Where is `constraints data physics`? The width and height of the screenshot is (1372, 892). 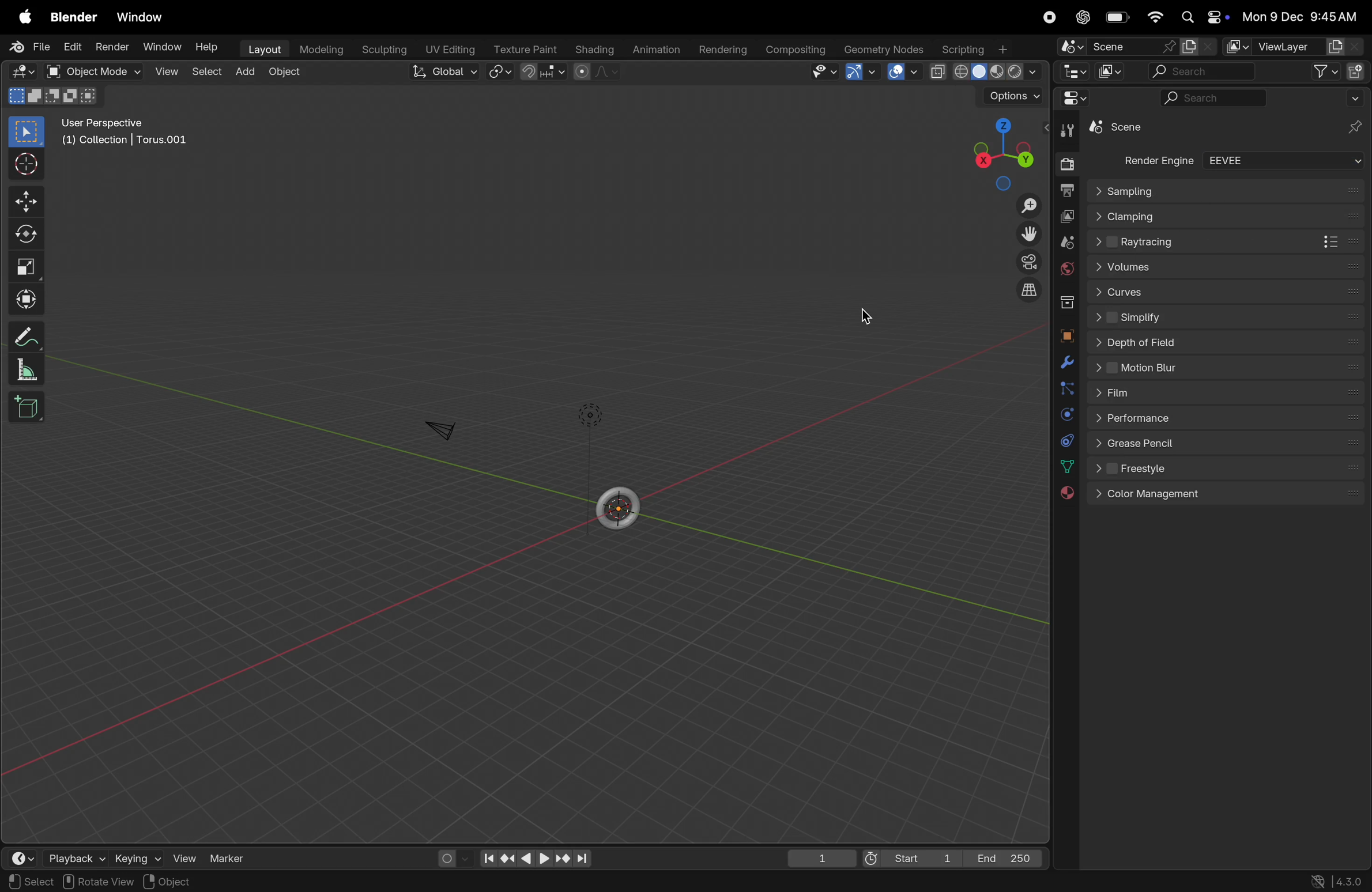
constraints data physics is located at coordinates (1064, 440).